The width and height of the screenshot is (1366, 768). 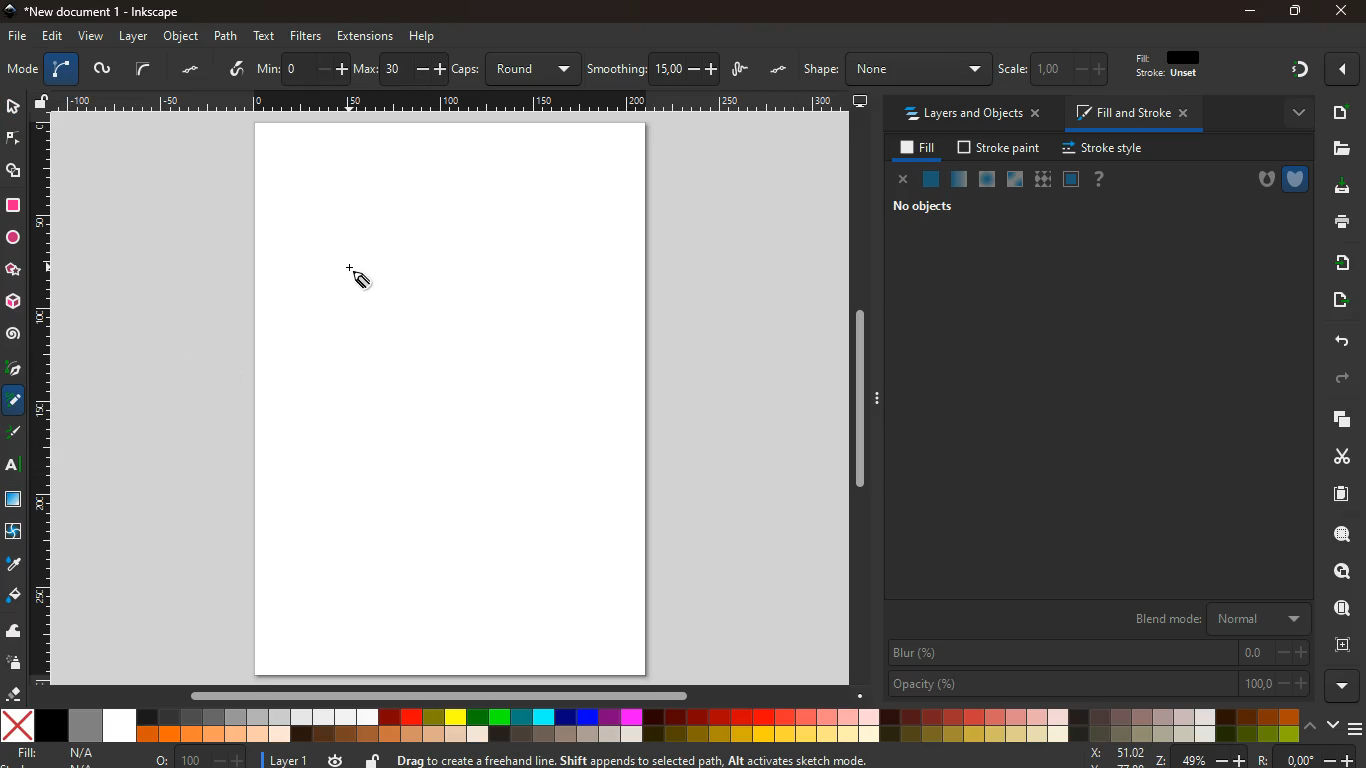 What do you see at coordinates (13, 204) in the screenshot?
I see `square` at bounding box center [13, 204].